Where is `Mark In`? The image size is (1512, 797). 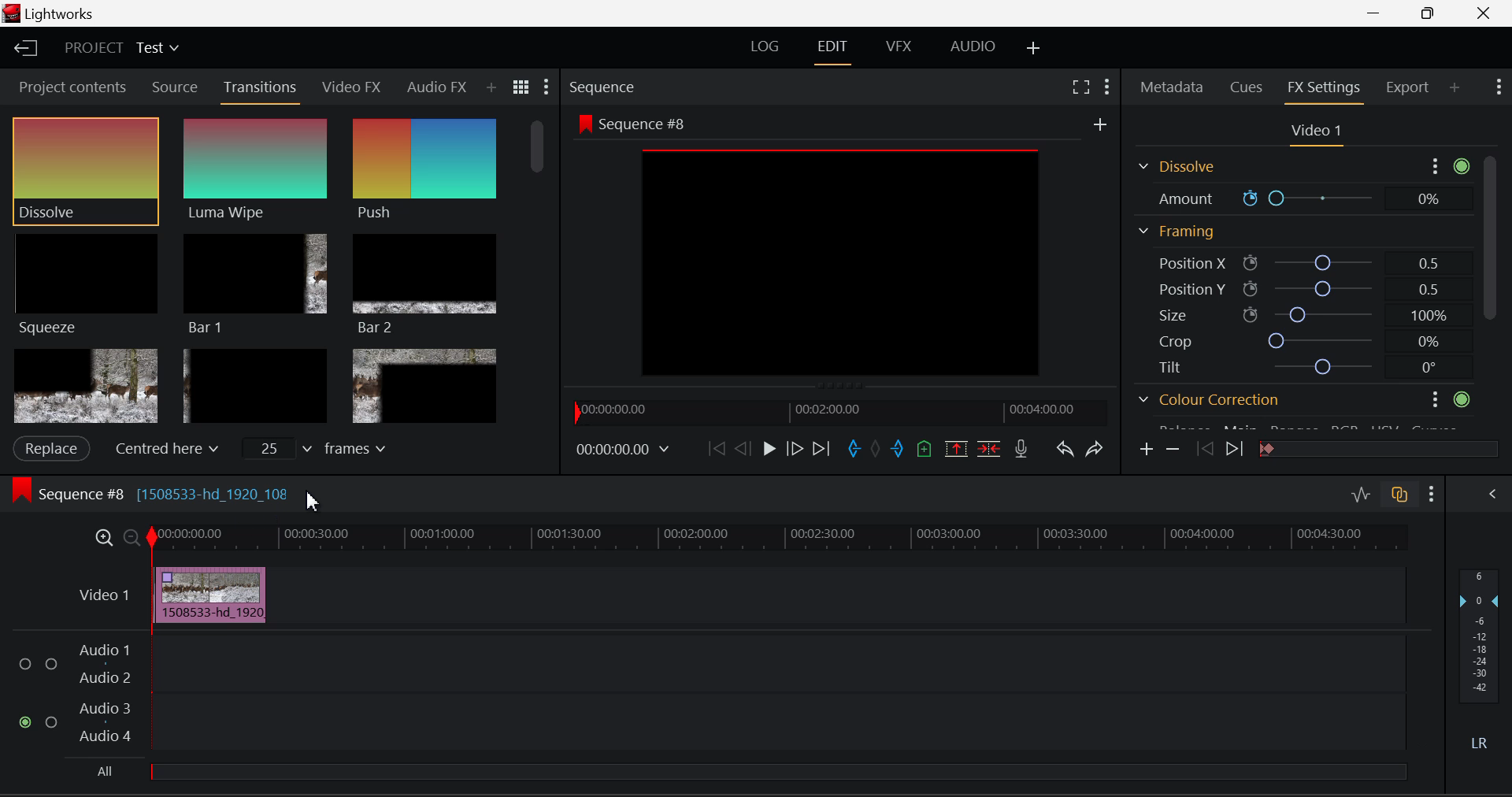
Mark In is located at coordinates (854, 451).